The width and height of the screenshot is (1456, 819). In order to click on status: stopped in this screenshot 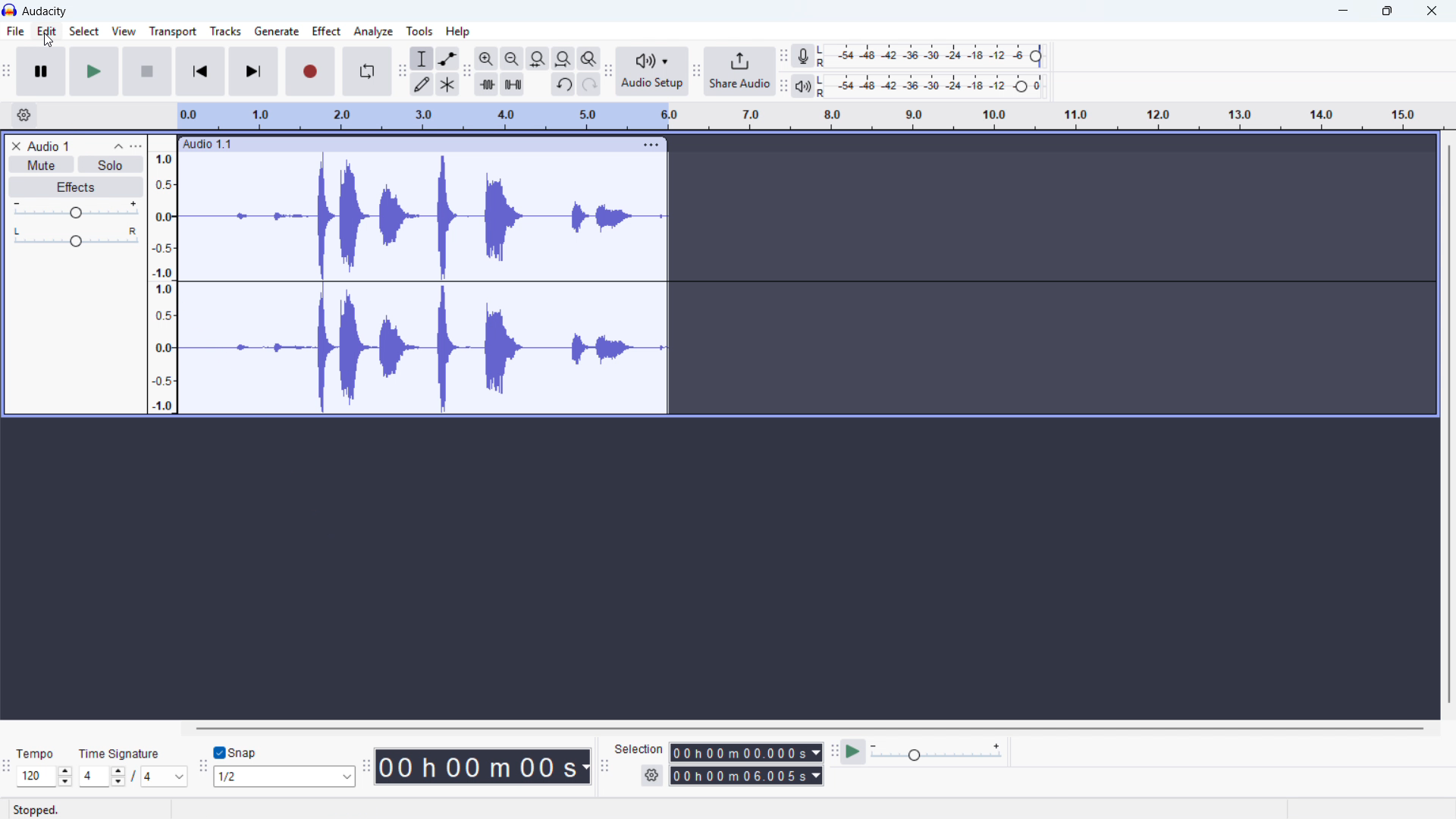, I will do `click(36, 810)`.